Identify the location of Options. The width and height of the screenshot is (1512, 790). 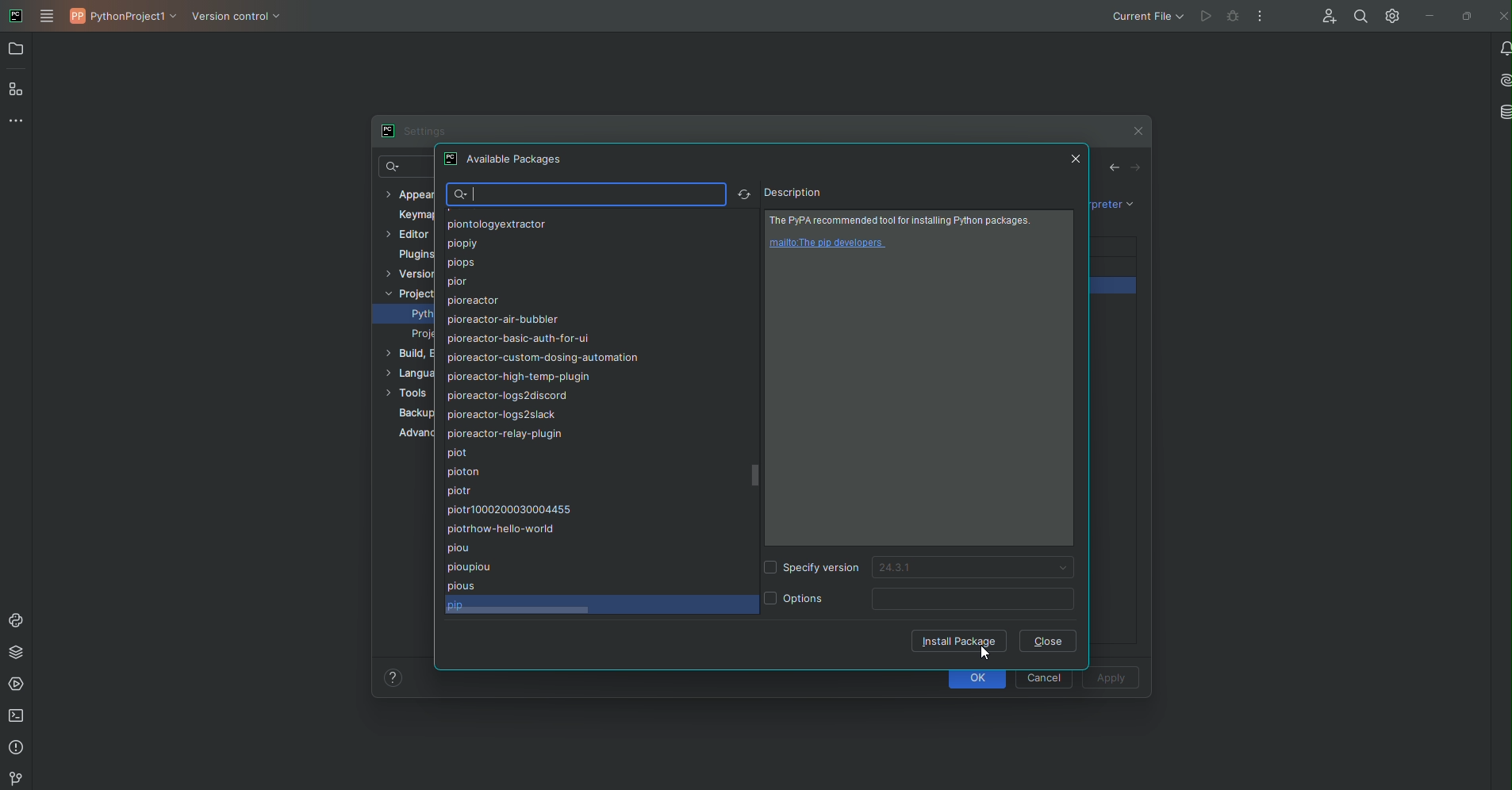
(795, 598).